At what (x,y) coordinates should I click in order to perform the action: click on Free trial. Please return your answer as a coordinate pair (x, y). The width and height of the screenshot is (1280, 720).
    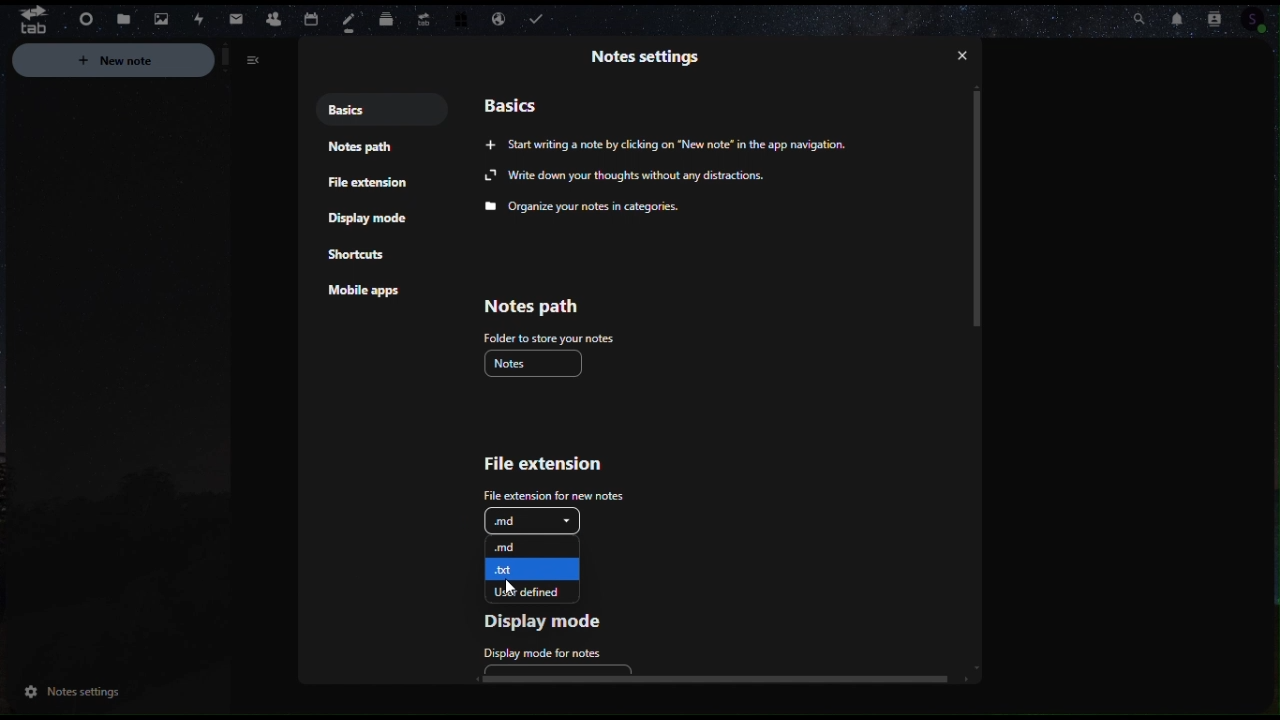
    Looking at the image, I should click on (459, 20).